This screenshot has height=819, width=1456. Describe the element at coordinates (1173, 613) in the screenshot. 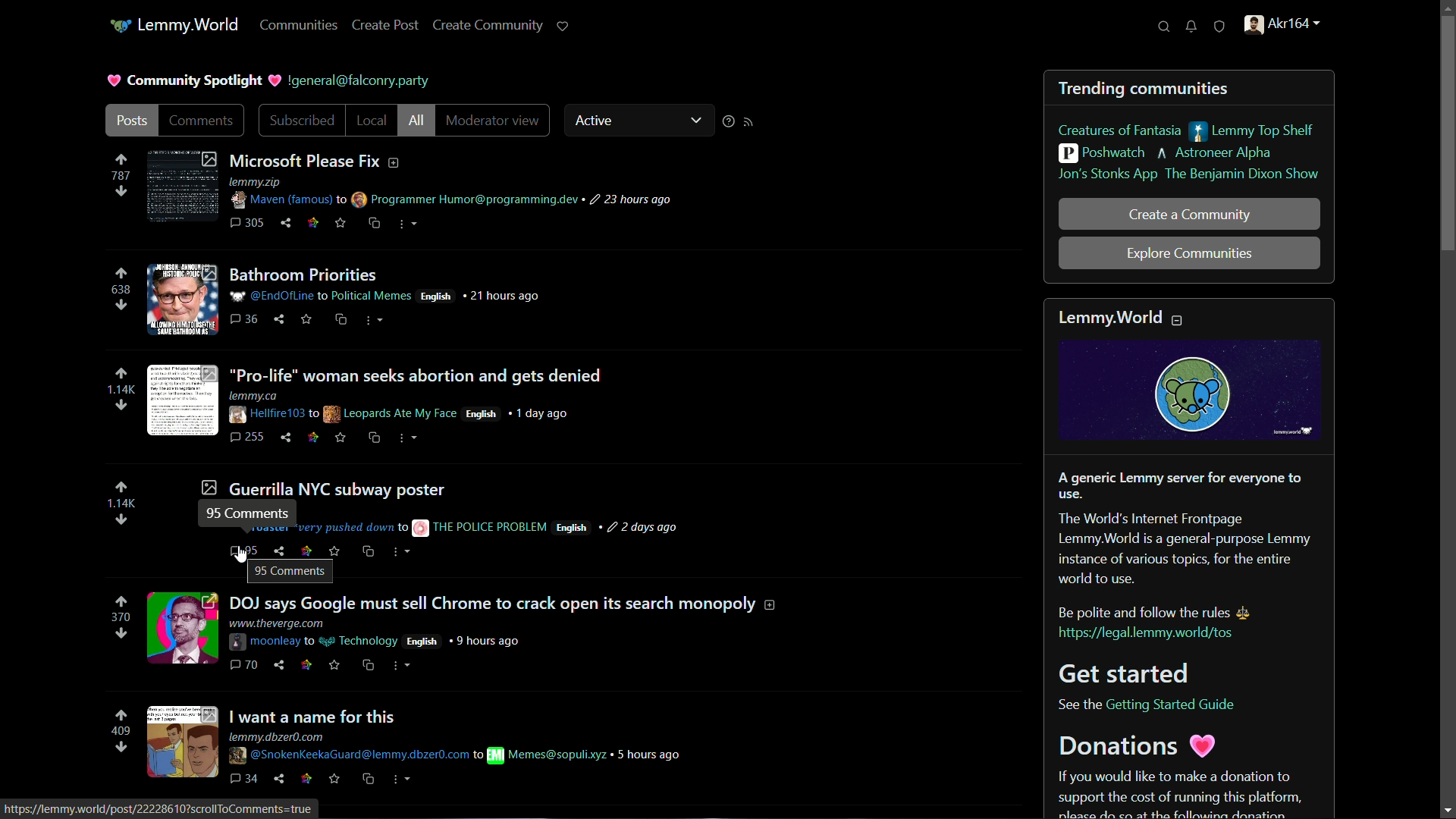

I see `text` at that location.